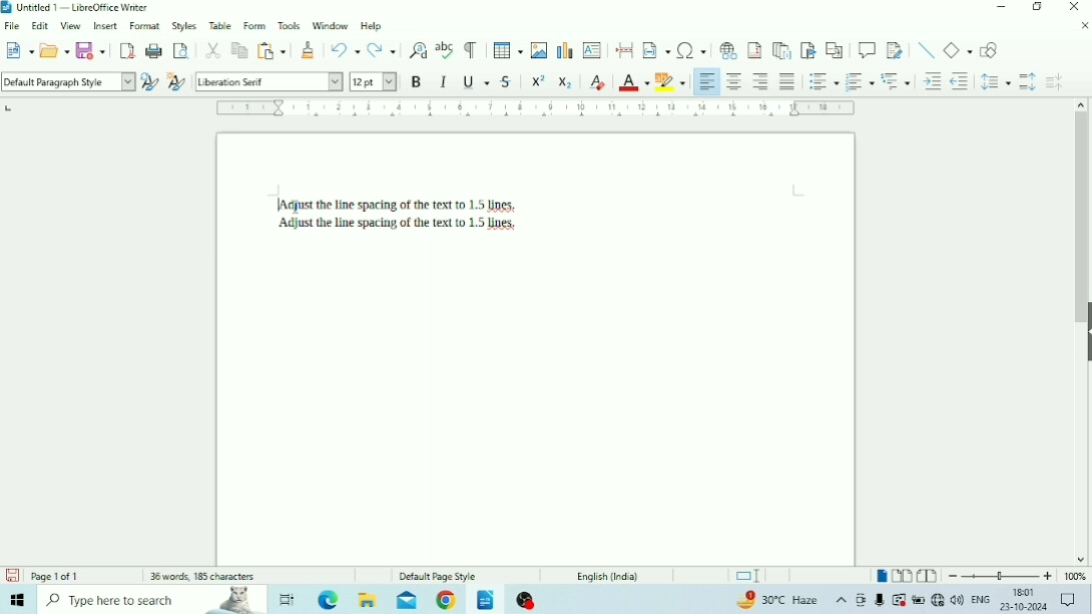  What do you see at coordinates (734, 81) in the screenshot?
I see `Align Center` at bounding box center [734, 81].